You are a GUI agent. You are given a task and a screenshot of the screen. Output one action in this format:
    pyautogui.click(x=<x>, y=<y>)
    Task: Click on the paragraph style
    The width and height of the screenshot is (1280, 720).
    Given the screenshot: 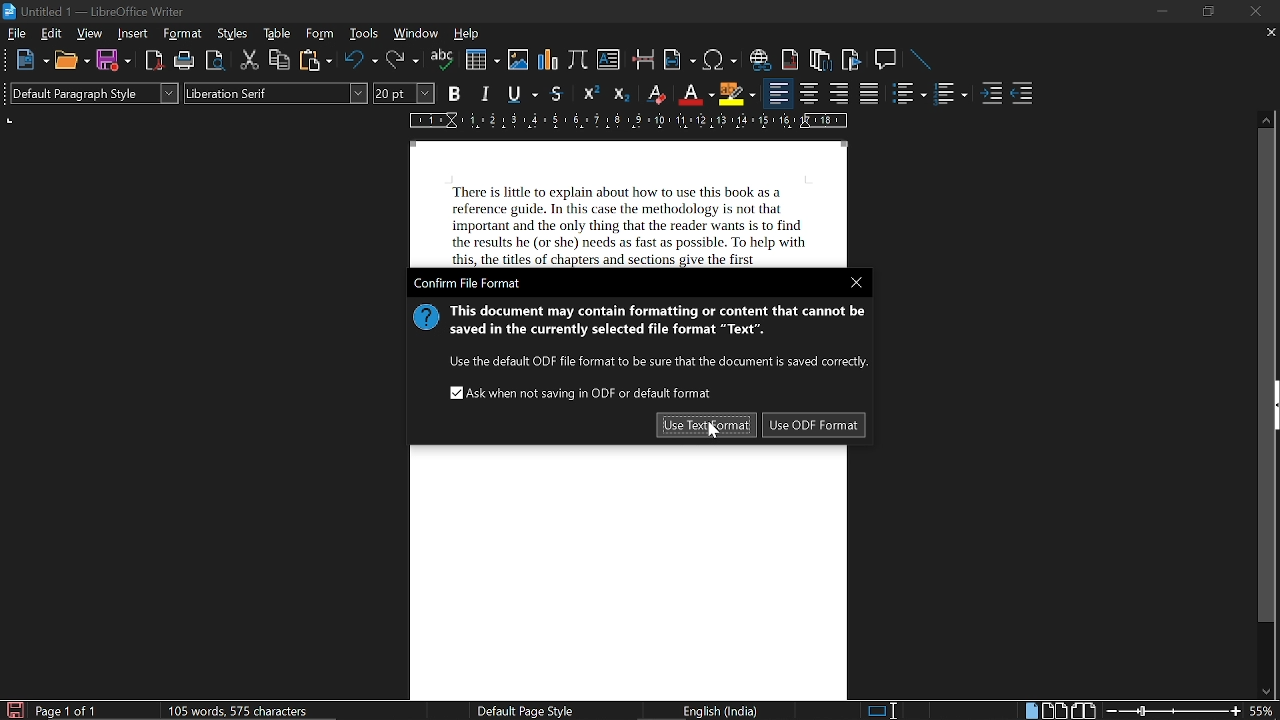 What is the action you would take?
    pyautogui.click(x=94, y=93)
    